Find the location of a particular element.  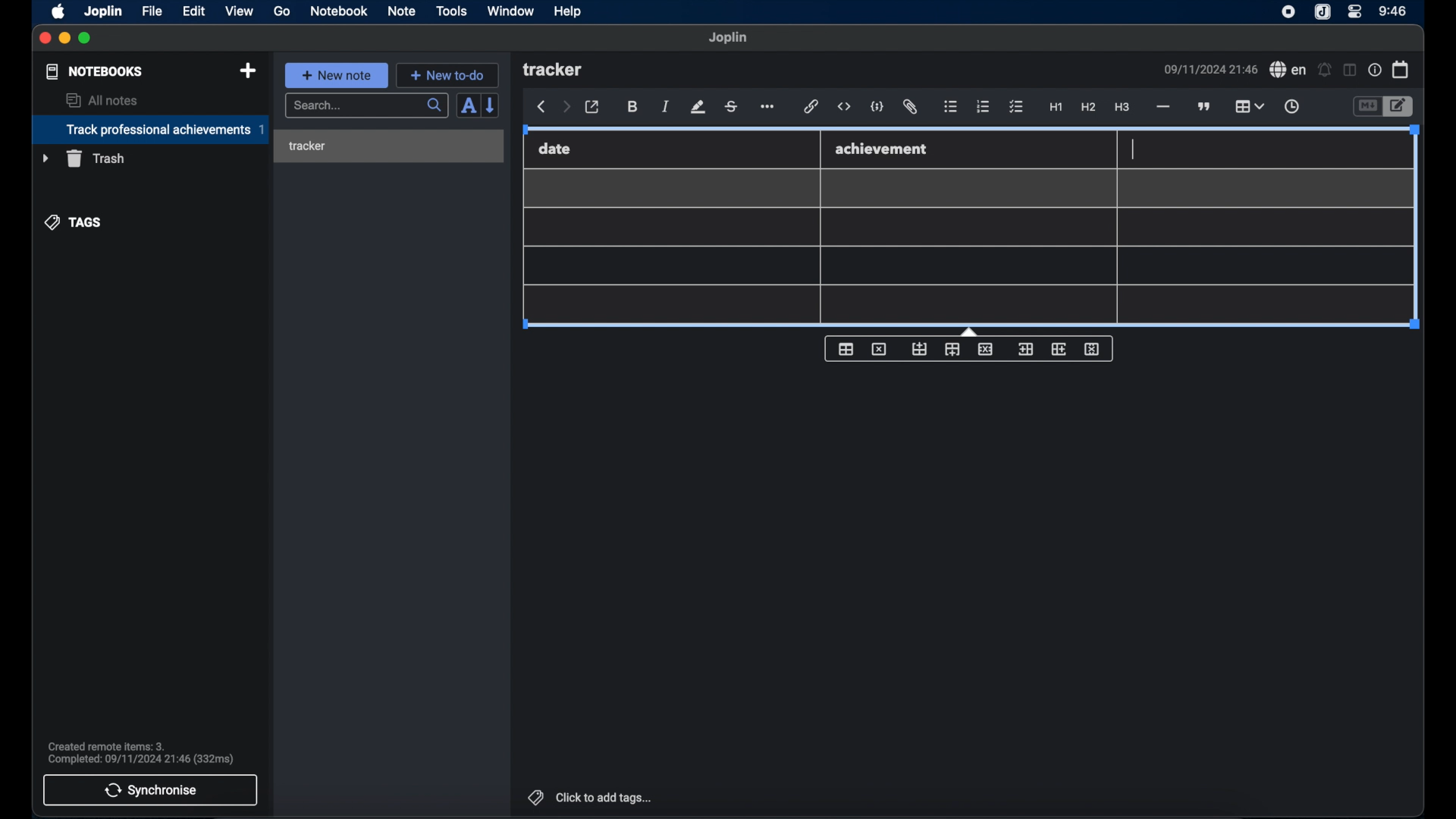

search bar is located at coordinates (366, 106).